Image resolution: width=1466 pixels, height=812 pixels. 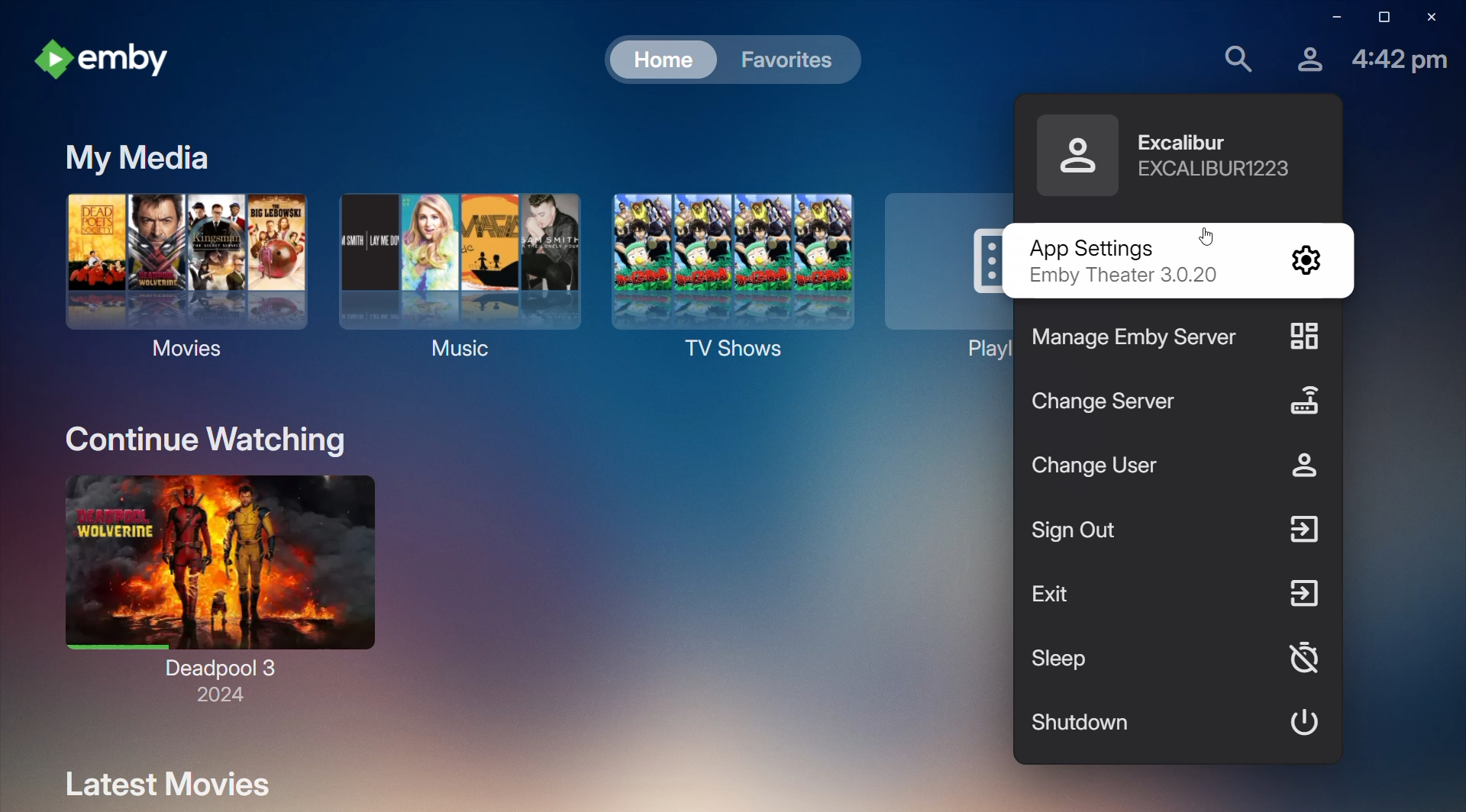 I want to click on Continue Watching, so click(x=210, y=440).